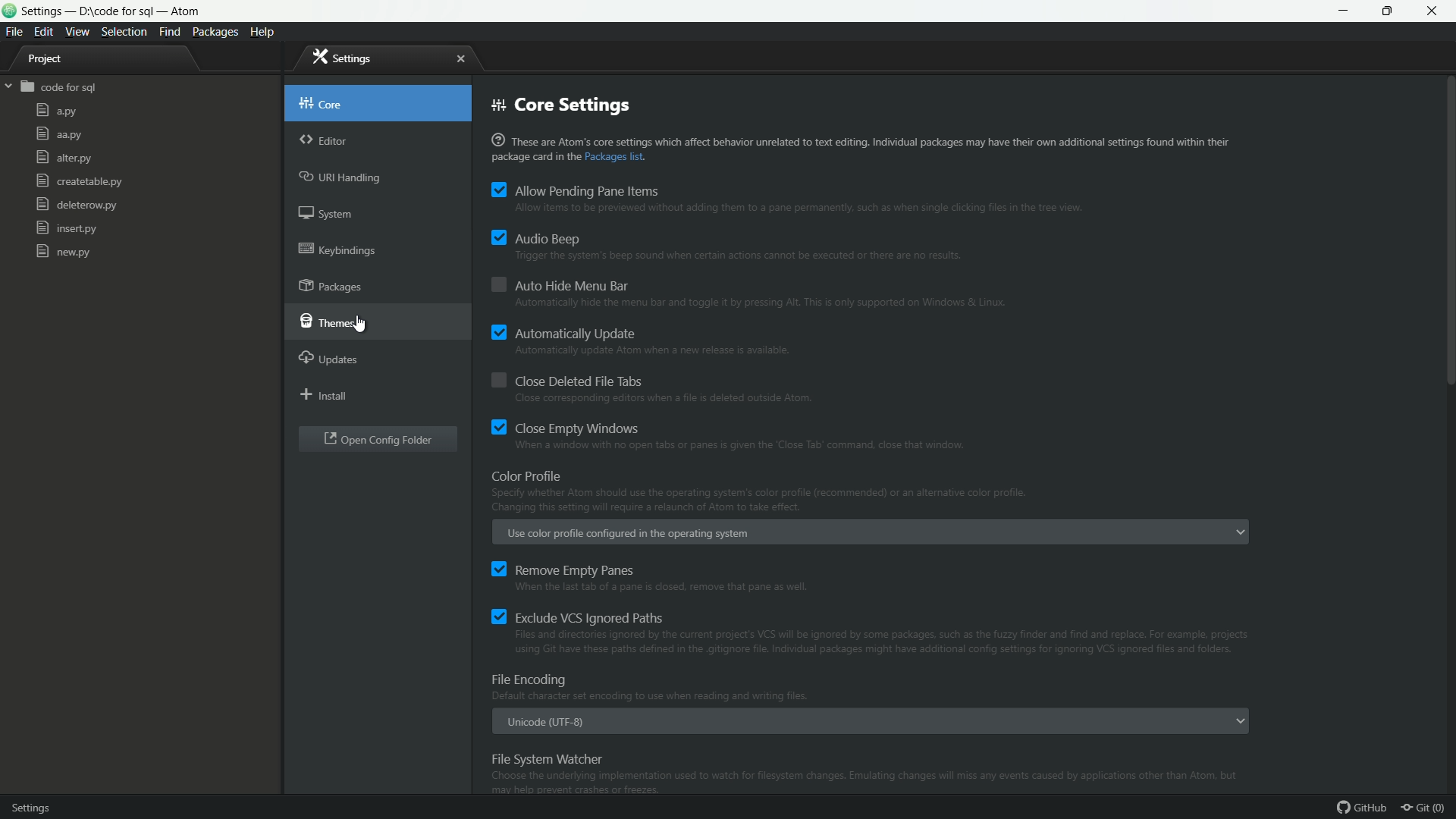 This screenshot has width=1456, height=819. I want to click on find menu, so click(169, 33).